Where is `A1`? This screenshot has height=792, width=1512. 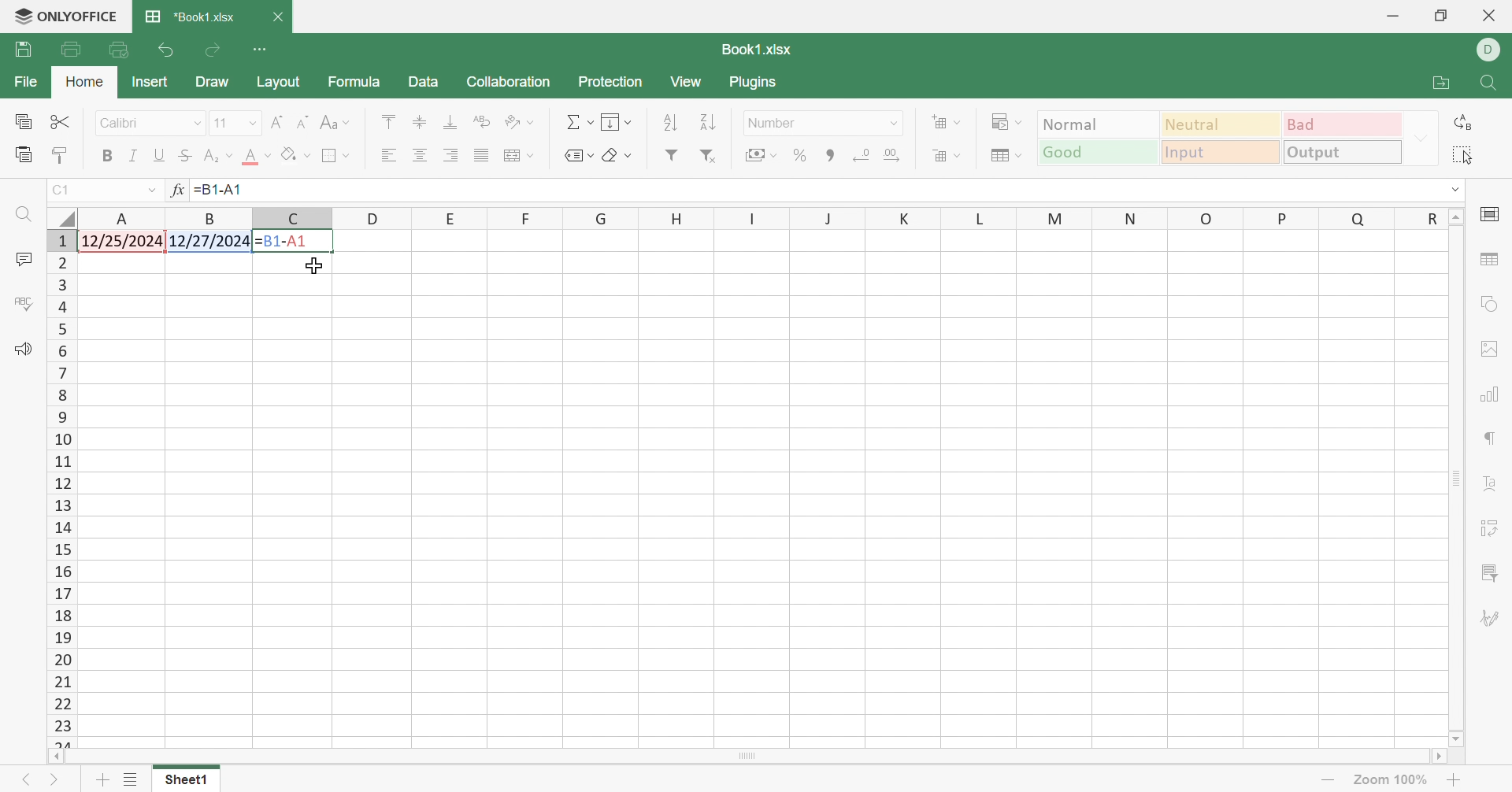 A1 is located at coordinates (65, 190).